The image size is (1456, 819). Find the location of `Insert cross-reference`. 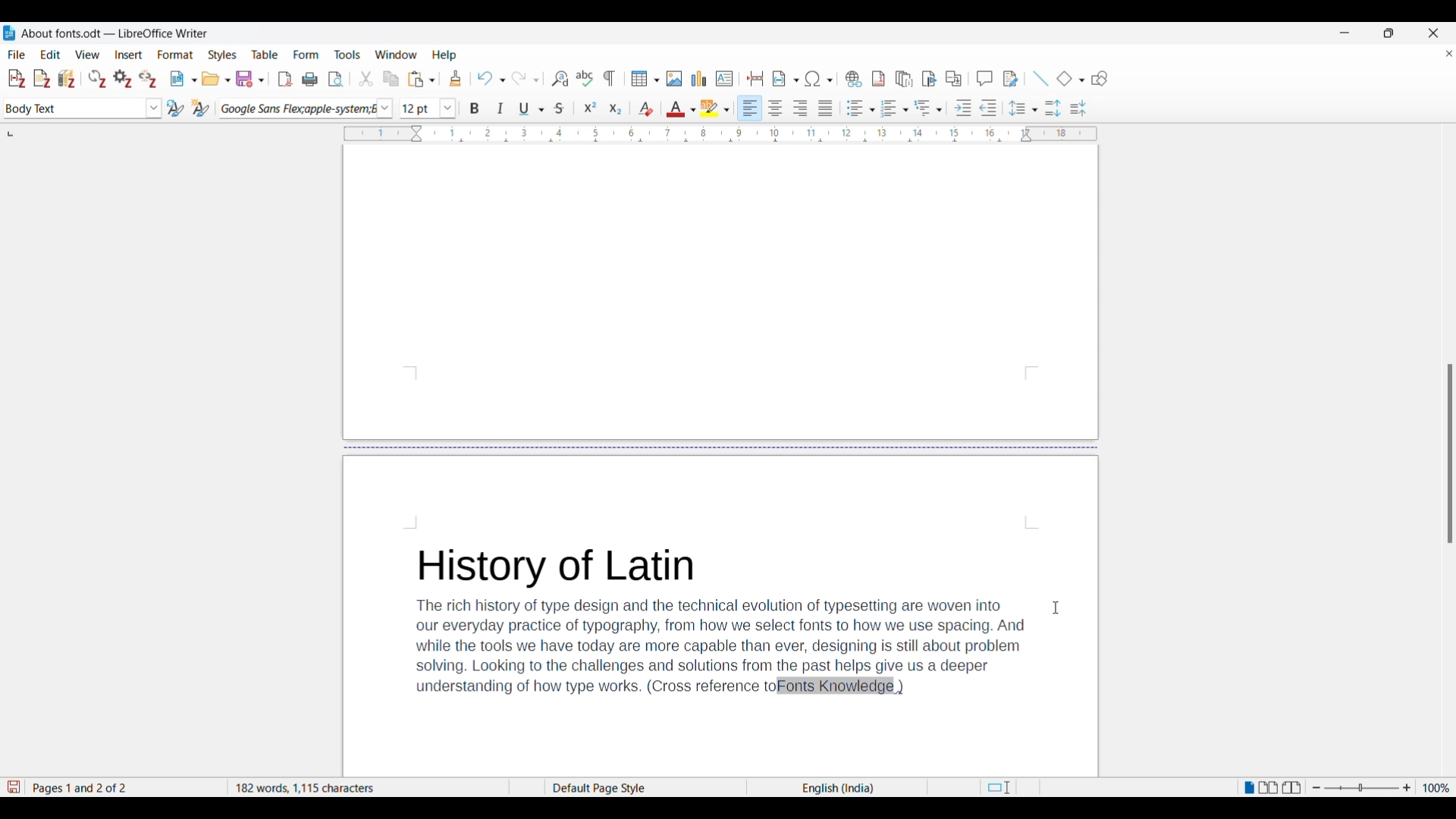

Insert cross-reference is located at coordinates (953, 79).